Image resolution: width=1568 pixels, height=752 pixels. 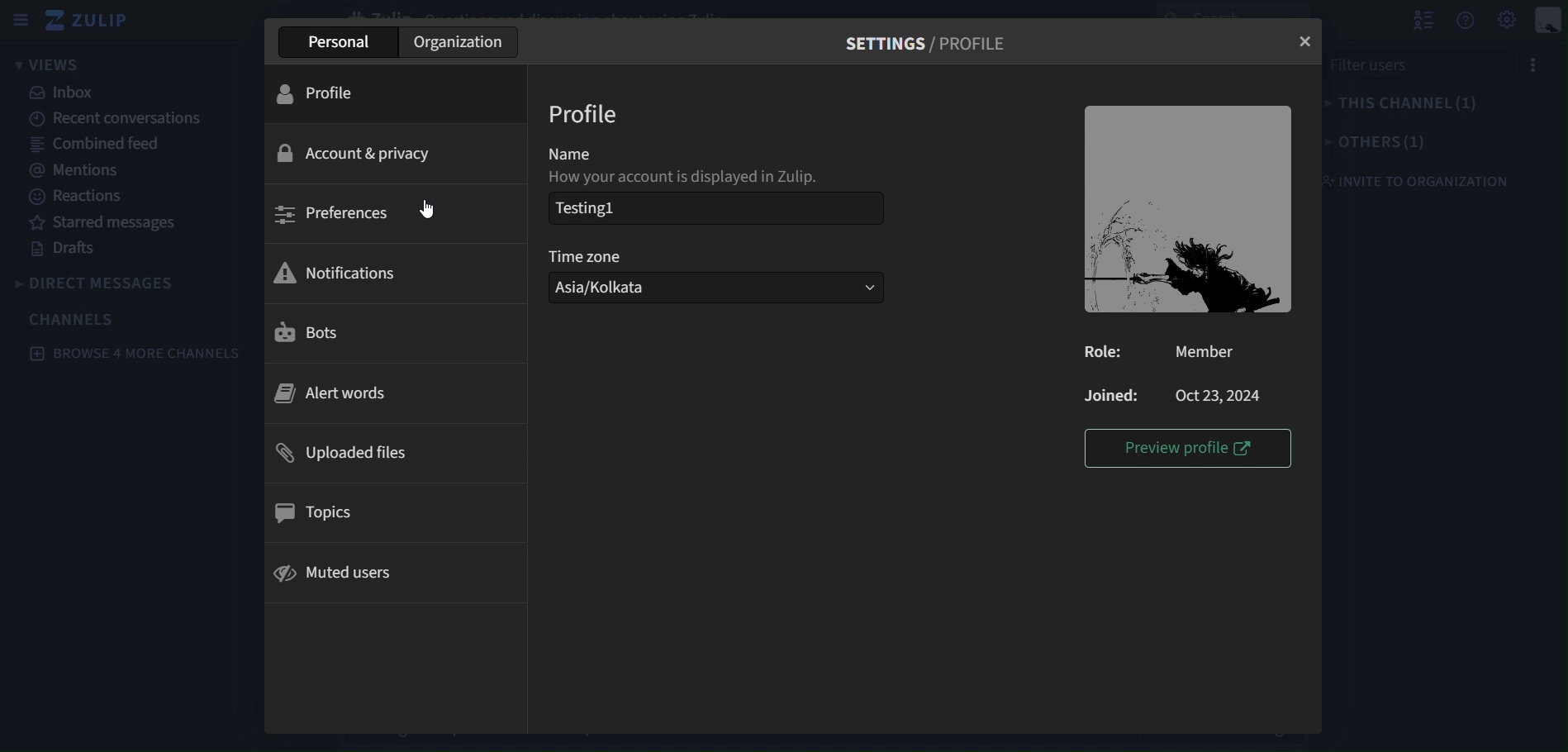 What do you see at coordinates (390, 512) in the screenshot?
I see `topics` at bounding box center [390, 512].